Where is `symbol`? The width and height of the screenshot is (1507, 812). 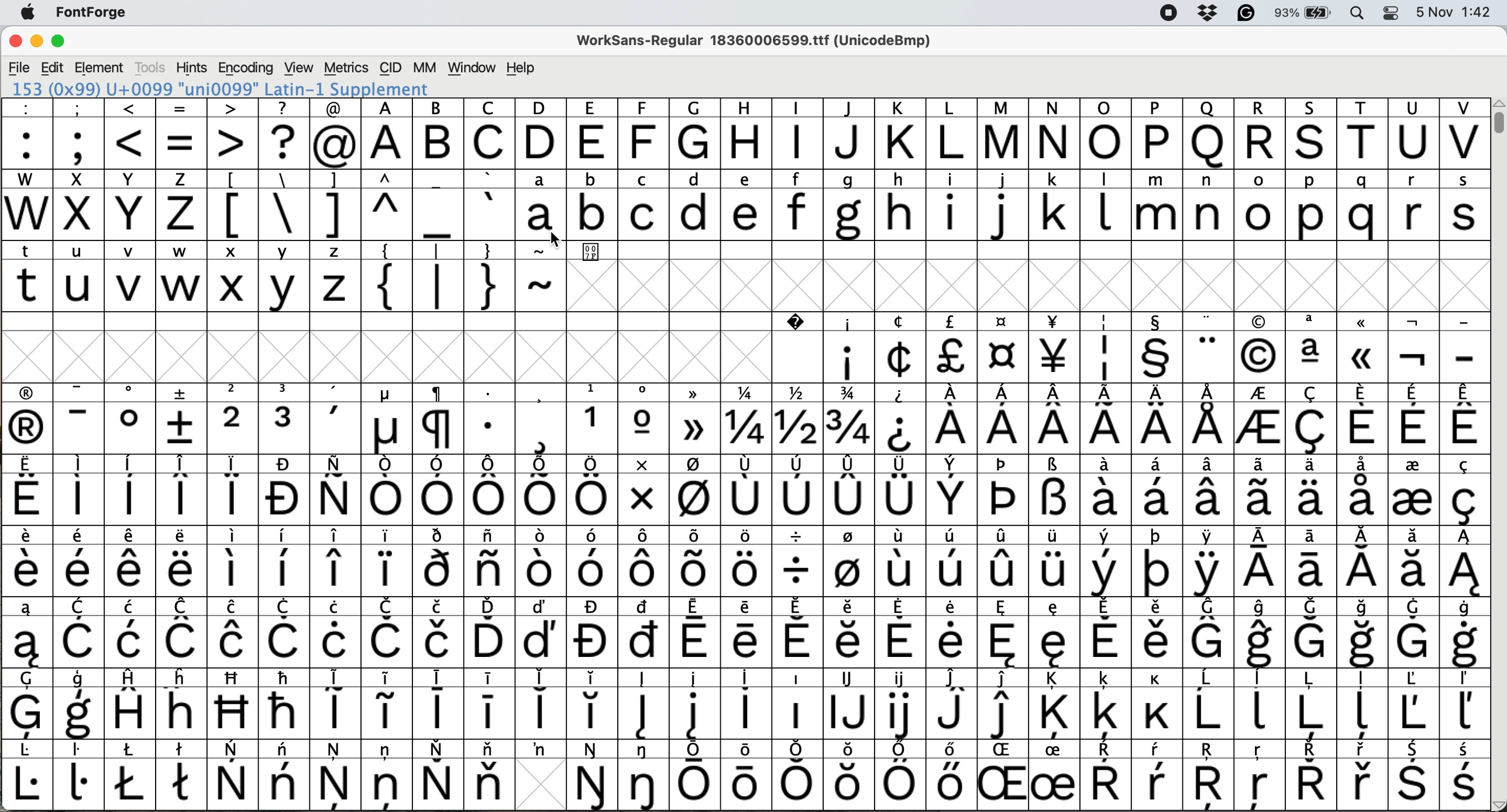
symbol is located at coordinates (284, 703).